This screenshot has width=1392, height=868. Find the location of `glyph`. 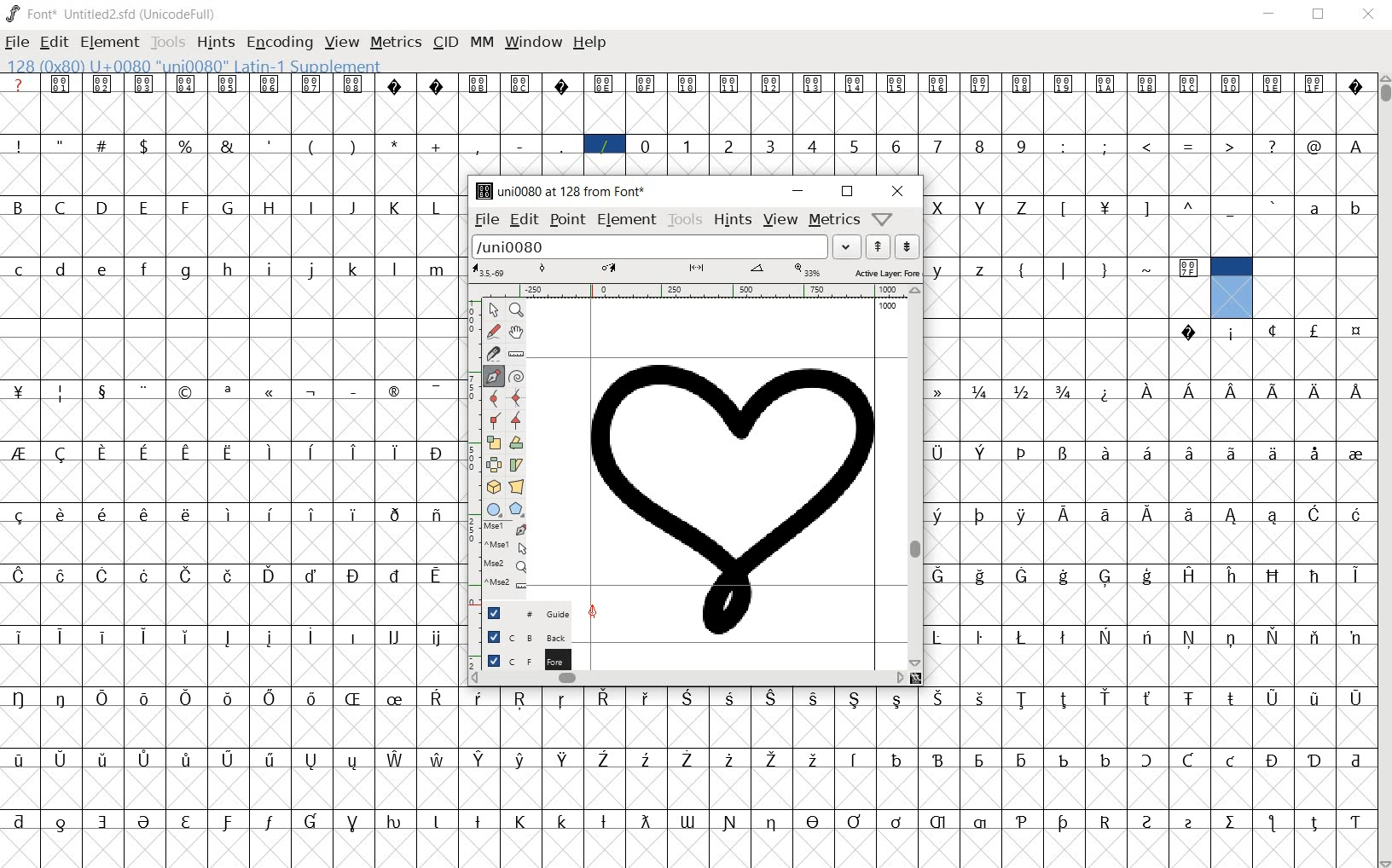

glyph is located at coordinates (186, 84).